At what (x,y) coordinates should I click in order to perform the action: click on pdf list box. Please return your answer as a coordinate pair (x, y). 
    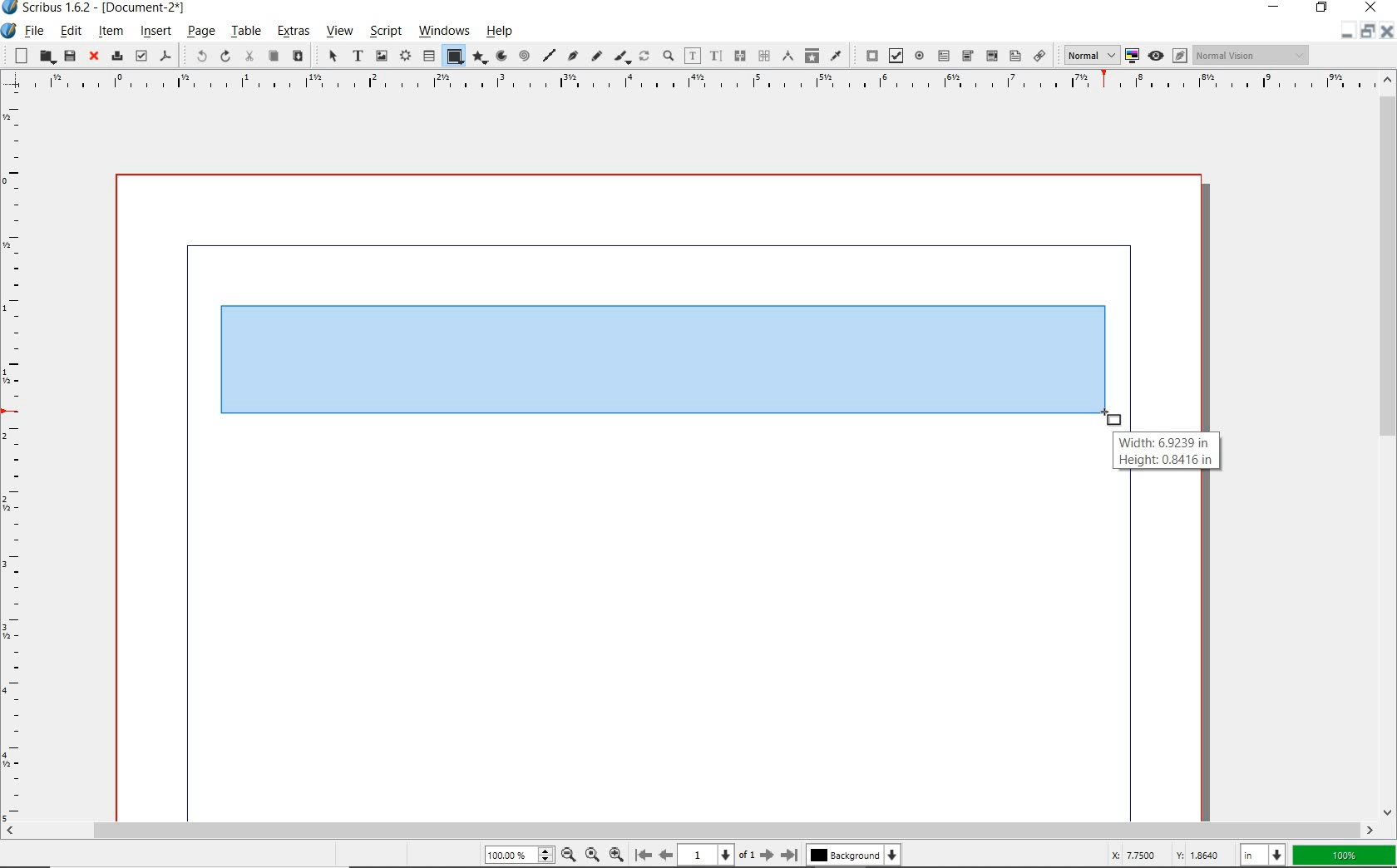
    Looking at the image, I should click on (1014, 55).